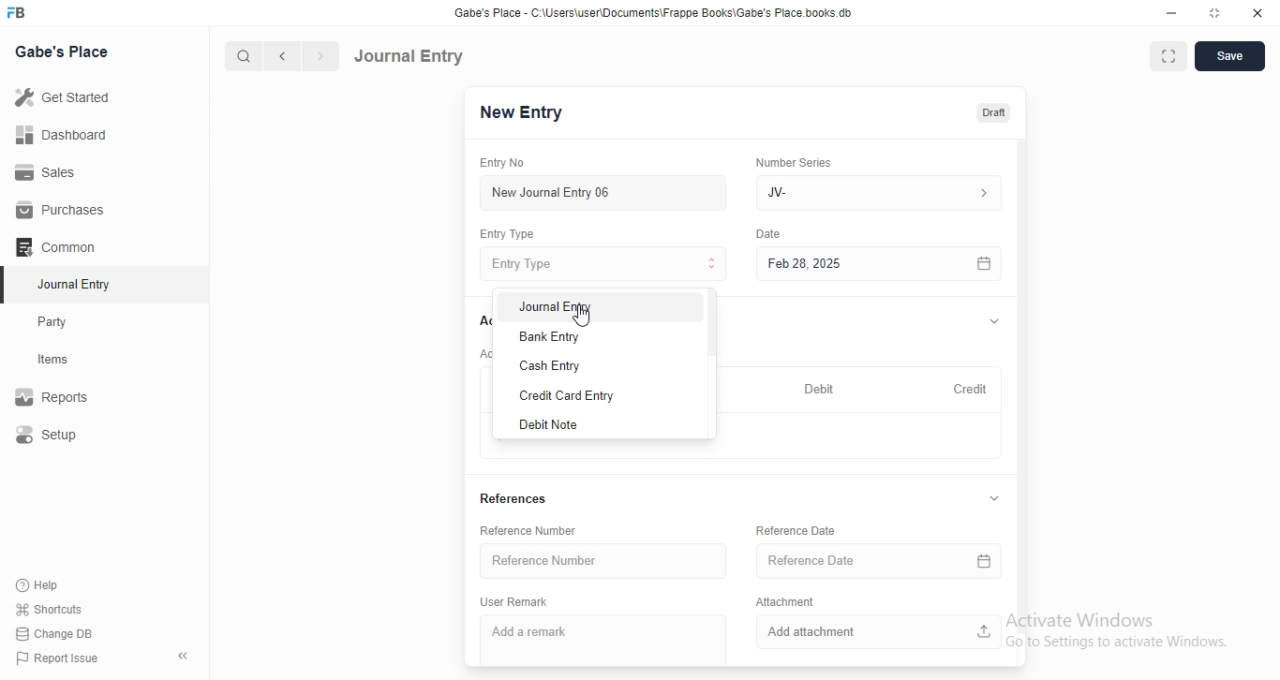  Describe the element at coordinates (820, 388) in the screenshot. I see `Debit` at that location.